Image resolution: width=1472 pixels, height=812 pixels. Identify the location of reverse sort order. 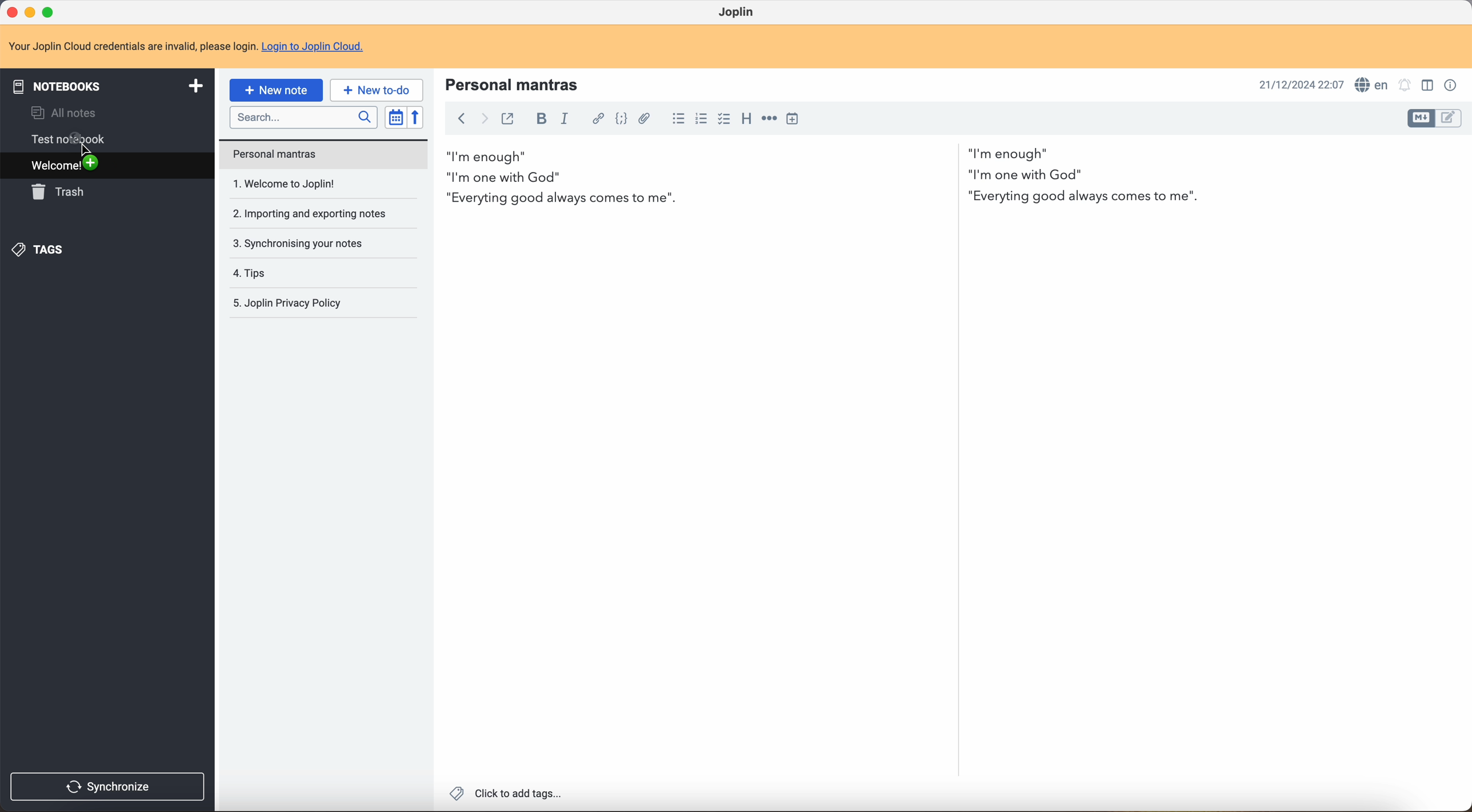
(415, 118).